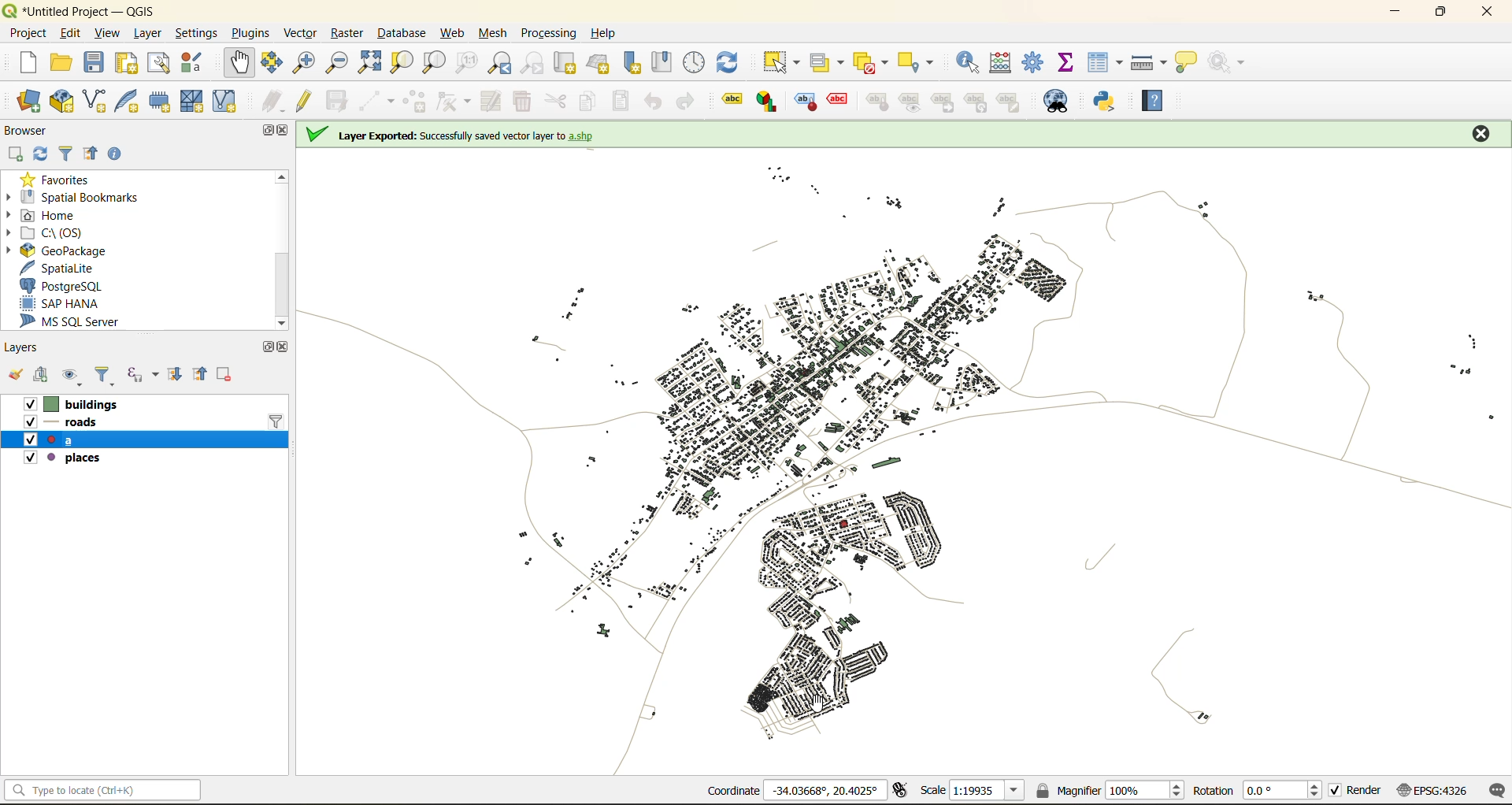 This screenshot has width=1512, height=805. What do you see at coordinates (94, 61) in the screenshot?
I see `save` at bounding box center [94, 61].